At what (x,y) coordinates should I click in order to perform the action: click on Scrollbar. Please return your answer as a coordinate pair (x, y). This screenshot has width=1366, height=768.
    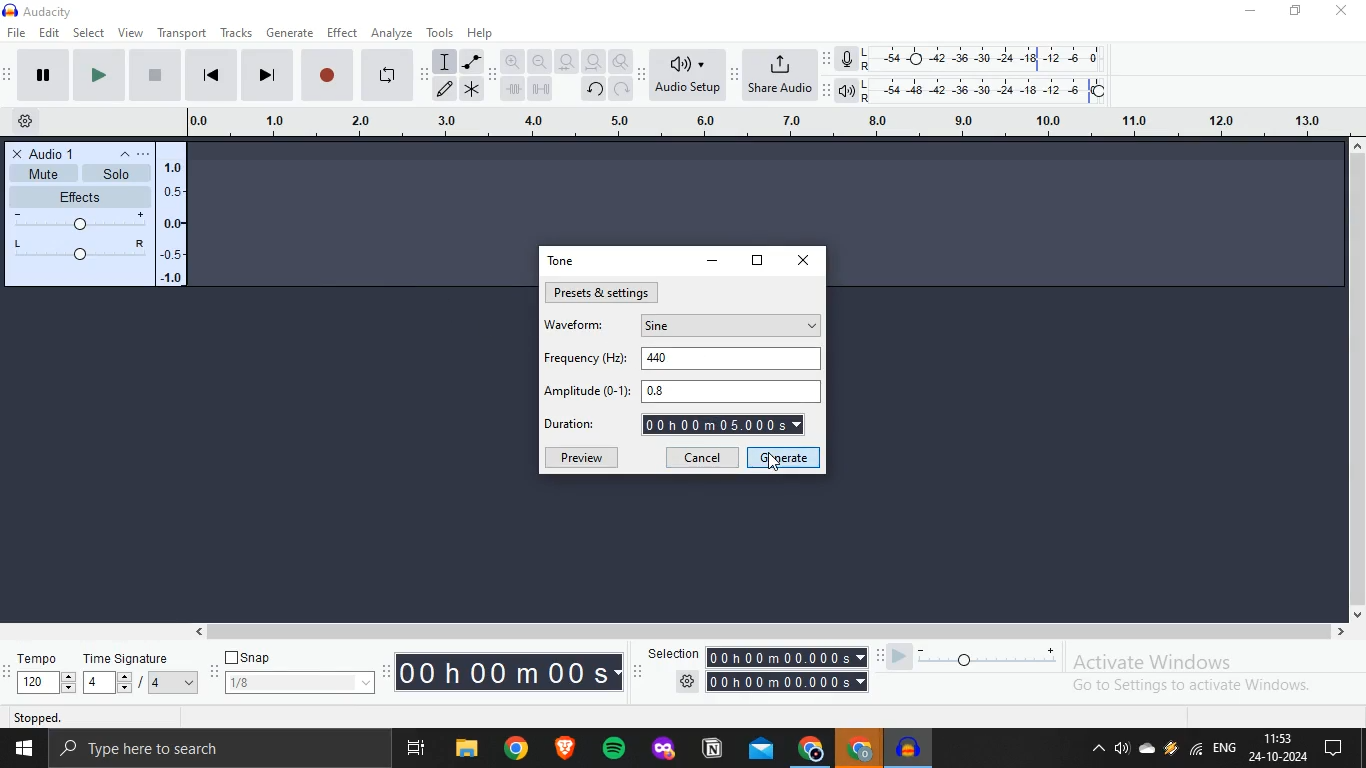
    Looking at the image, I should click on (771, 633).